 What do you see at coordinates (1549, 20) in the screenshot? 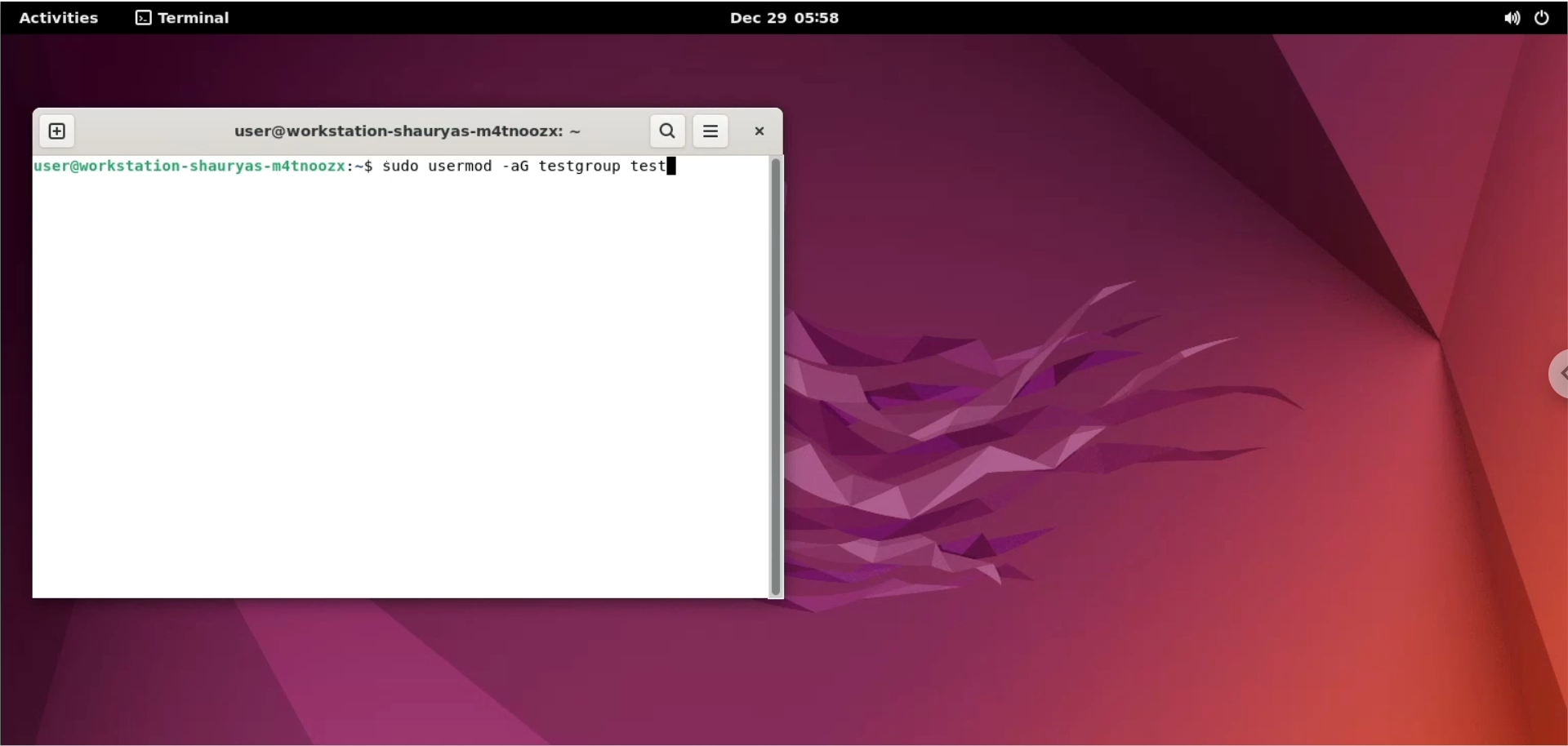
I see `power option` at bounding box center [1549, 20].